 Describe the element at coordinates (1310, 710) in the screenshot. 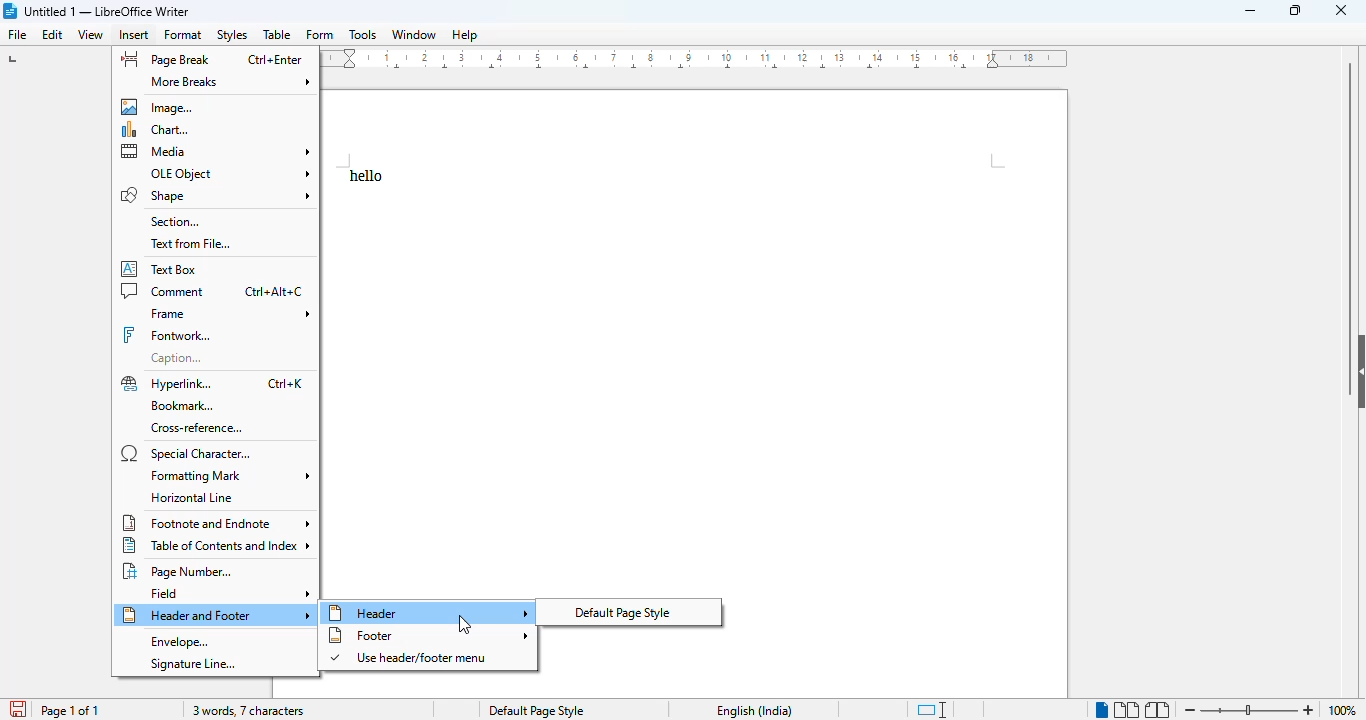

I see `zoom in` at that location.